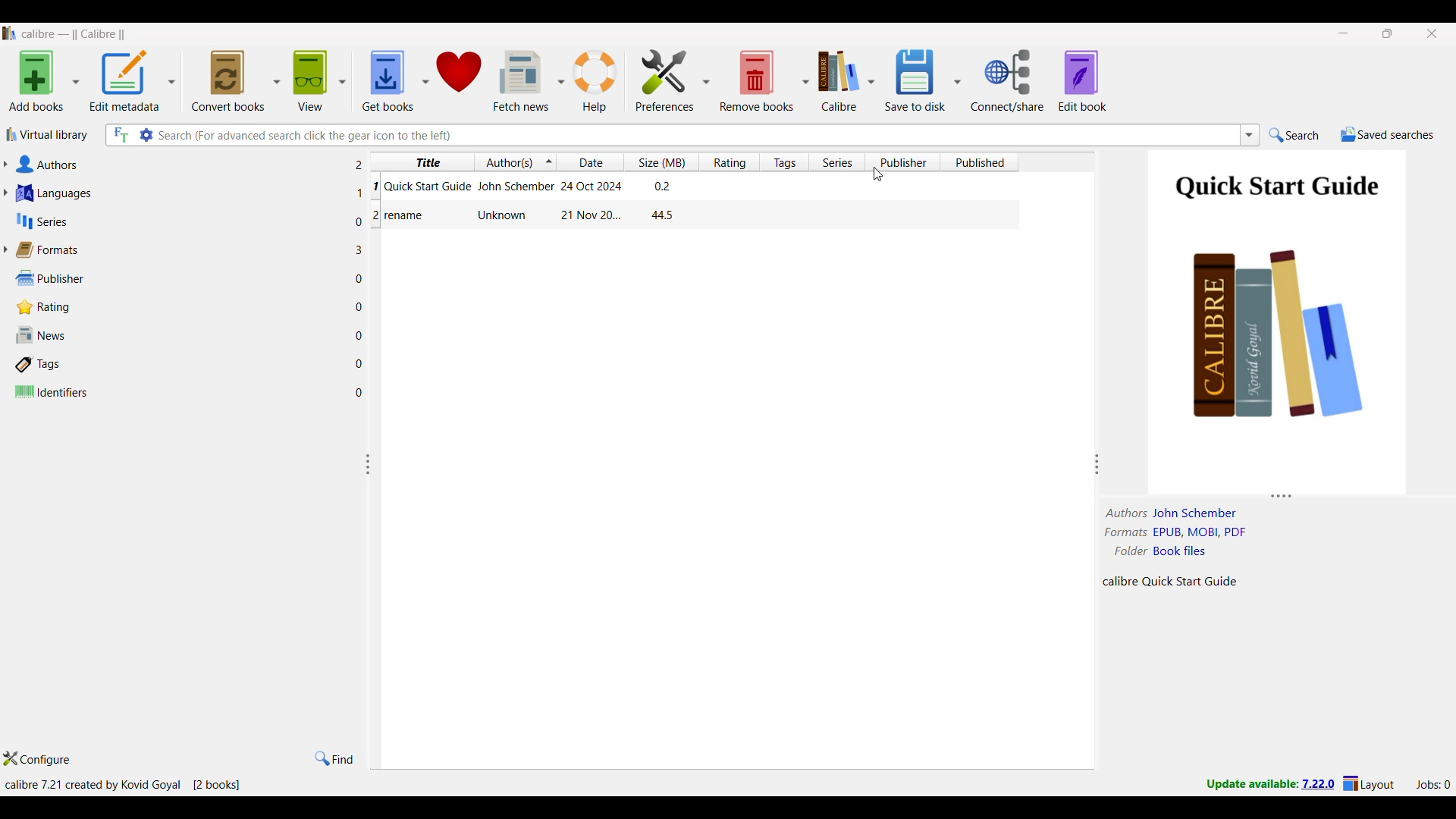  Describe the element at coordinates (37, 758) in the screenshot. I see `Configure` at that location.